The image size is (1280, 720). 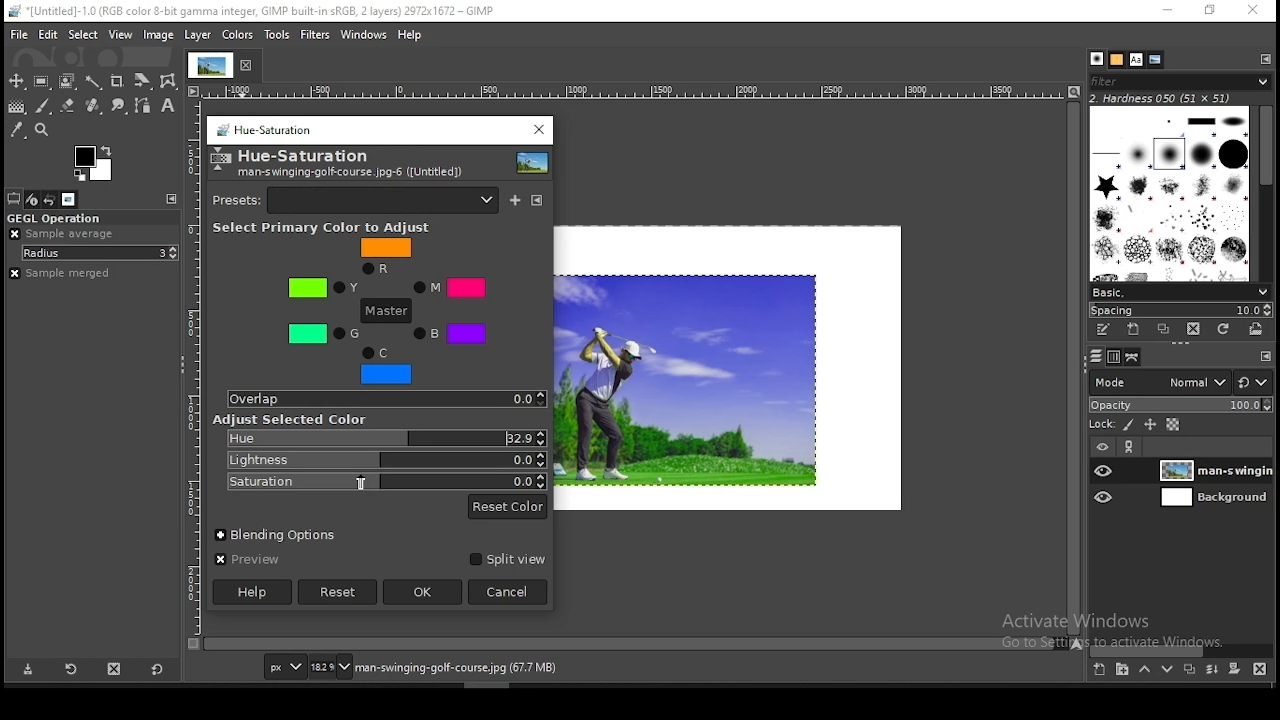 What do you see at coordinates (248, 560) in the screenshot?
I see `preview` at bounding box center [248, 560].